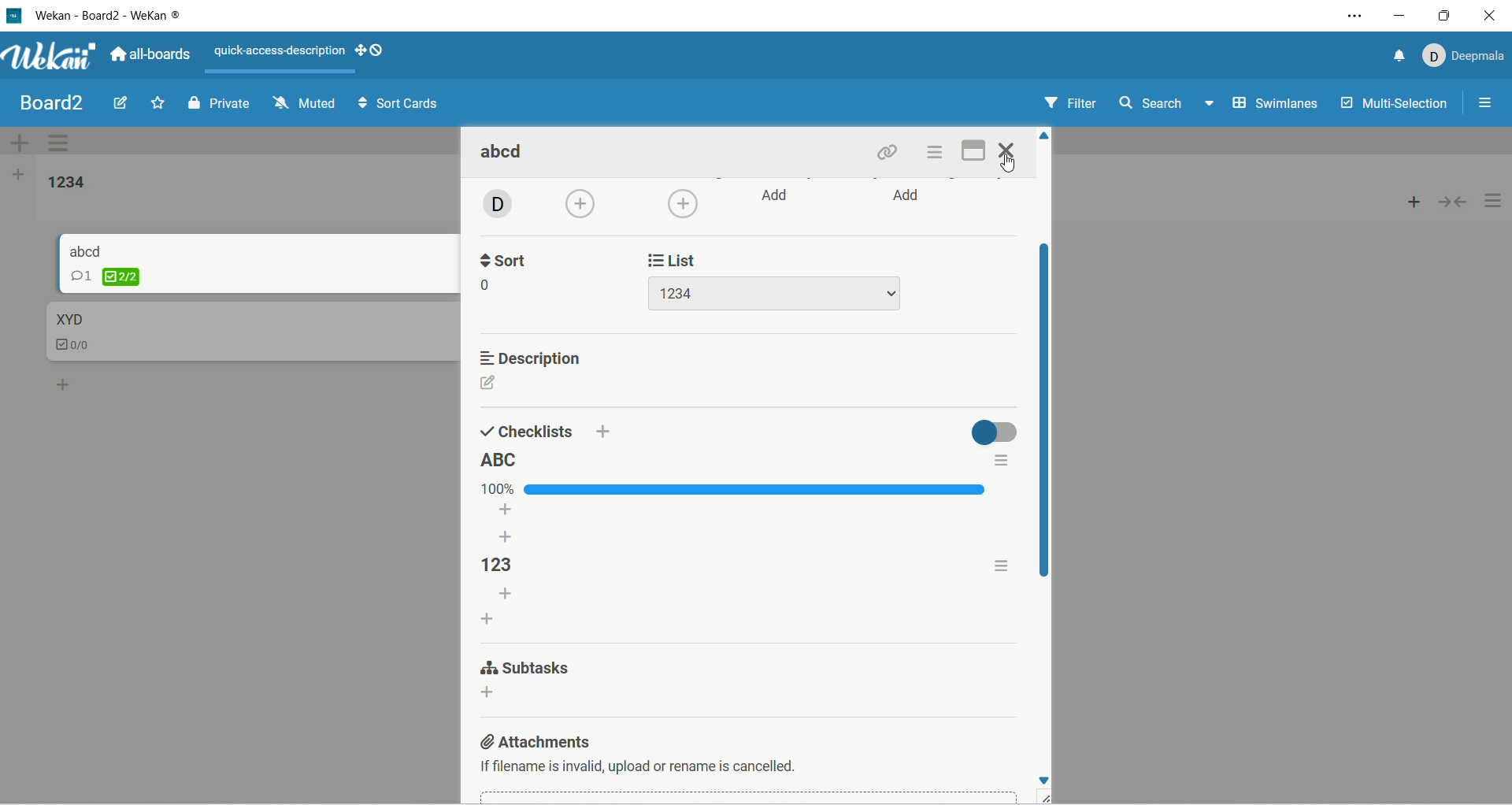 The width and height of the screenshot is (1512, 805). I want to click on cursor, so click(1010, 167).